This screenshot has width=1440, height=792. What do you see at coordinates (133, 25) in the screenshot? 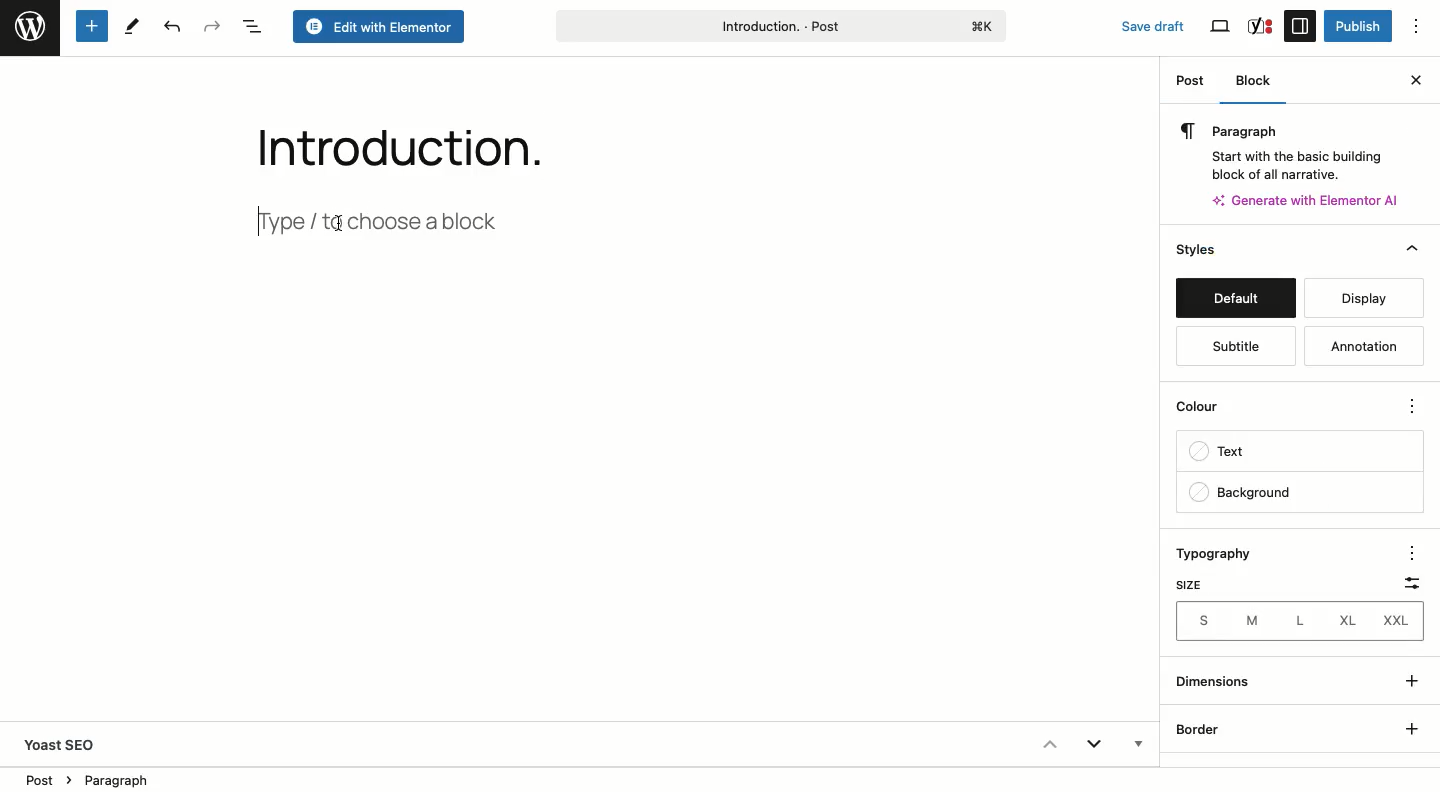
I see `Tools` at bounding box center [133, 25].